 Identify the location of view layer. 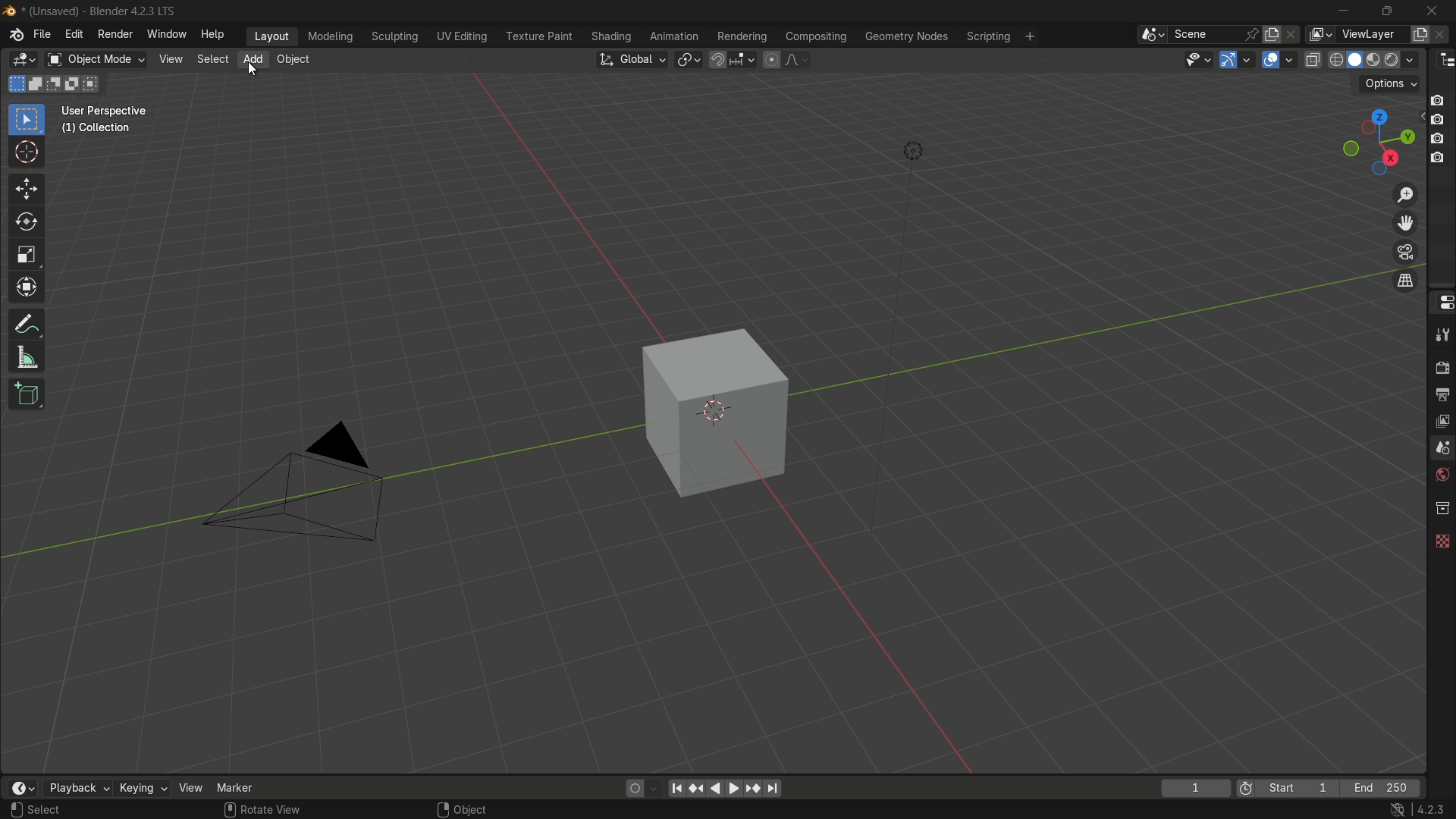
(1318, 34).